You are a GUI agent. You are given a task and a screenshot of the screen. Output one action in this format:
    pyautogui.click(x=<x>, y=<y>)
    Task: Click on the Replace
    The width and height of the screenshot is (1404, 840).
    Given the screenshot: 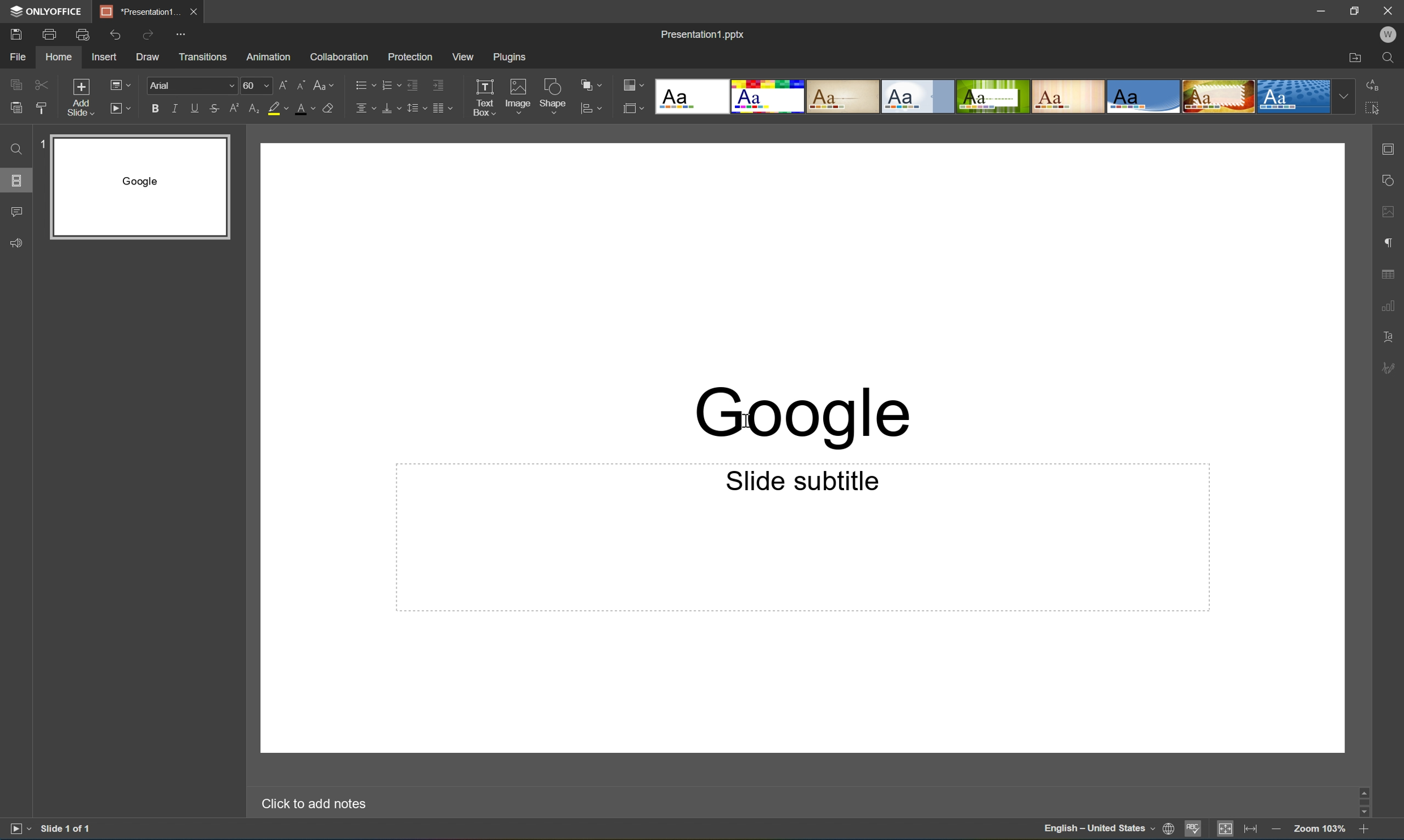 What is the action you would take?
    pyautogui.click(x=1375, y=85)
    